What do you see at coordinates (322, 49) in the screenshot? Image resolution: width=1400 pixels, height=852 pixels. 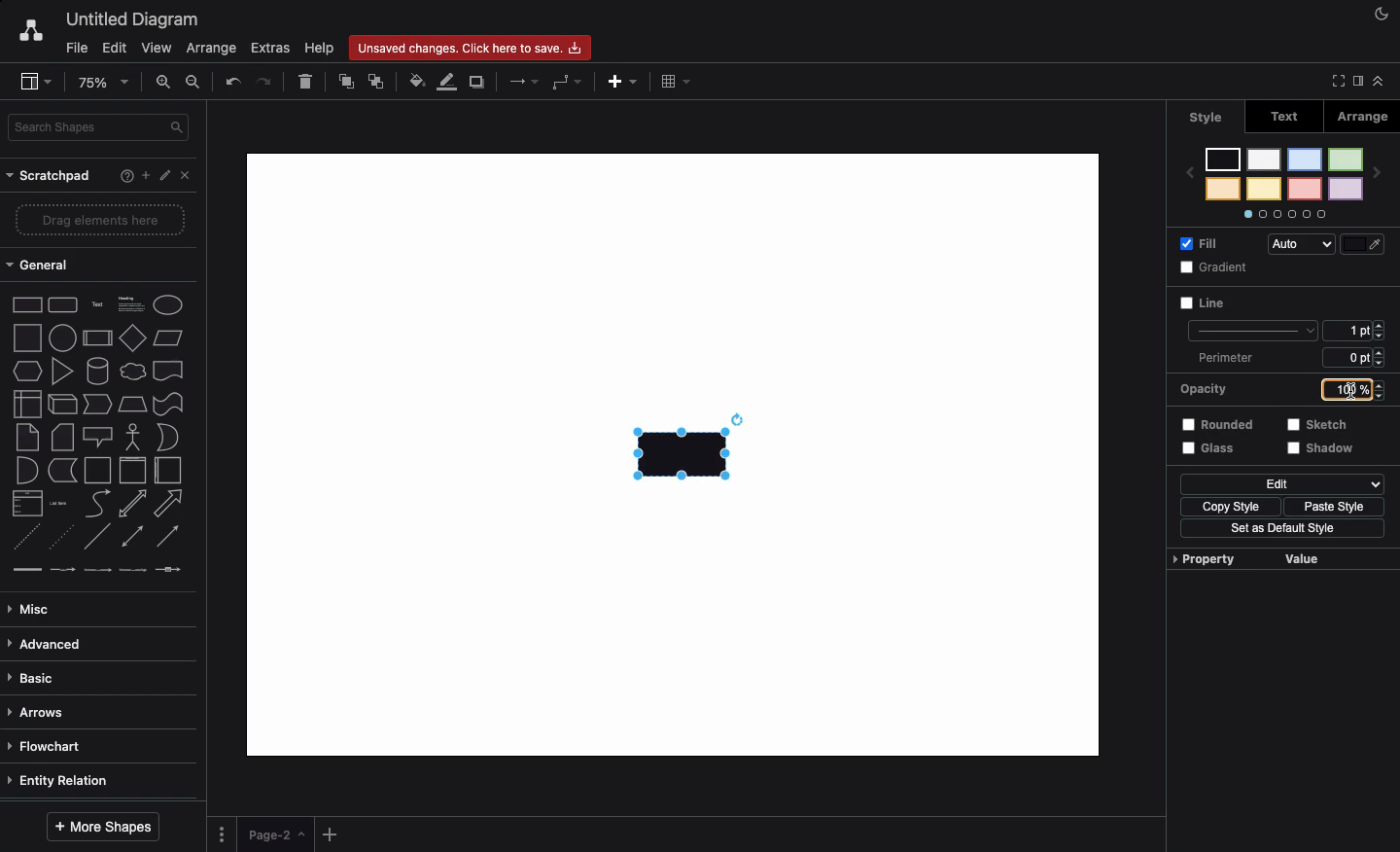 I see `Help` at bounding box center [322, 49].